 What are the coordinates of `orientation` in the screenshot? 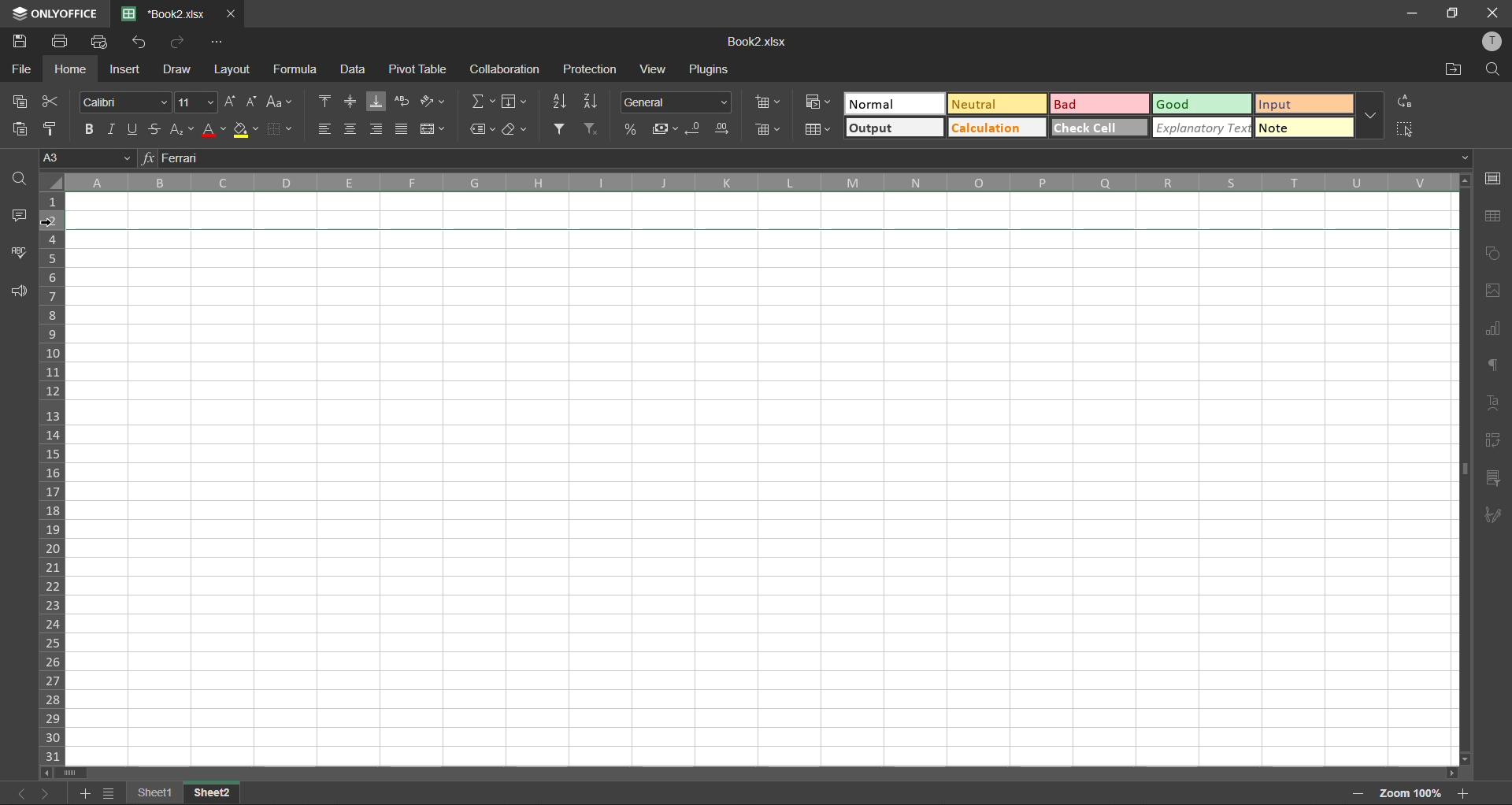 It's located at (435, 101).